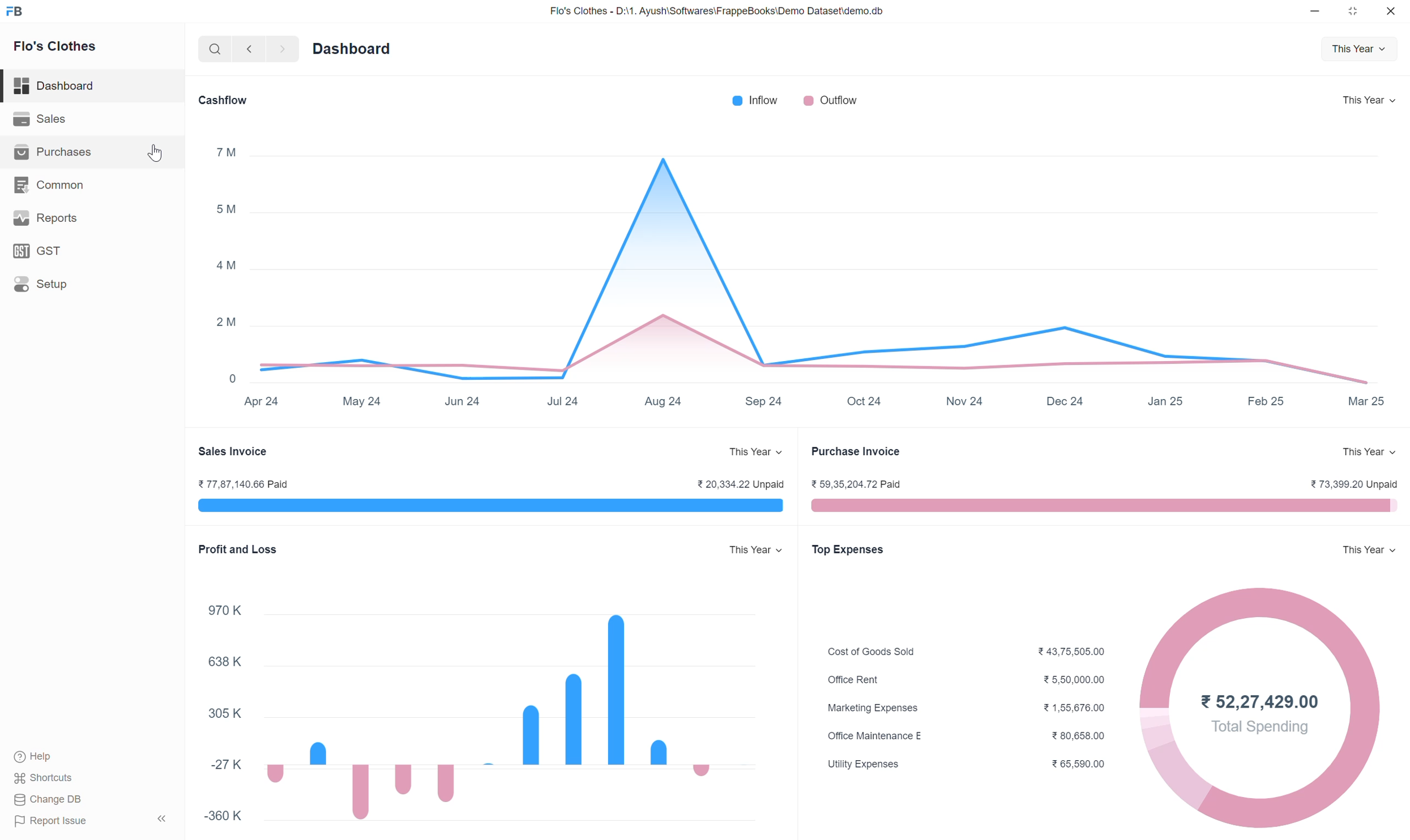  I want to click on ¥ 59,35,204.72 Paid, so click(852, 483).